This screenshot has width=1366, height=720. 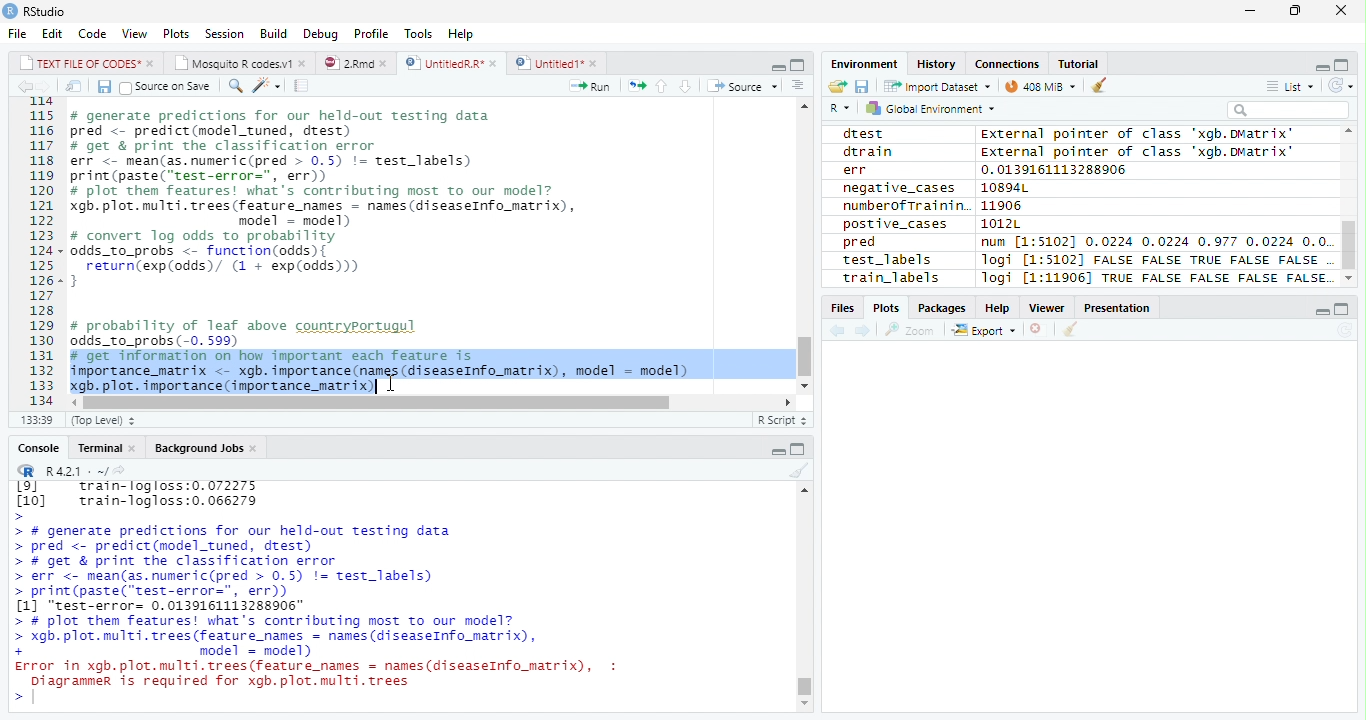 What do you see at coordinates (1057, 169) in the screenshot?
I see `0.0139161113288906` at bounding box center [1057, 169].